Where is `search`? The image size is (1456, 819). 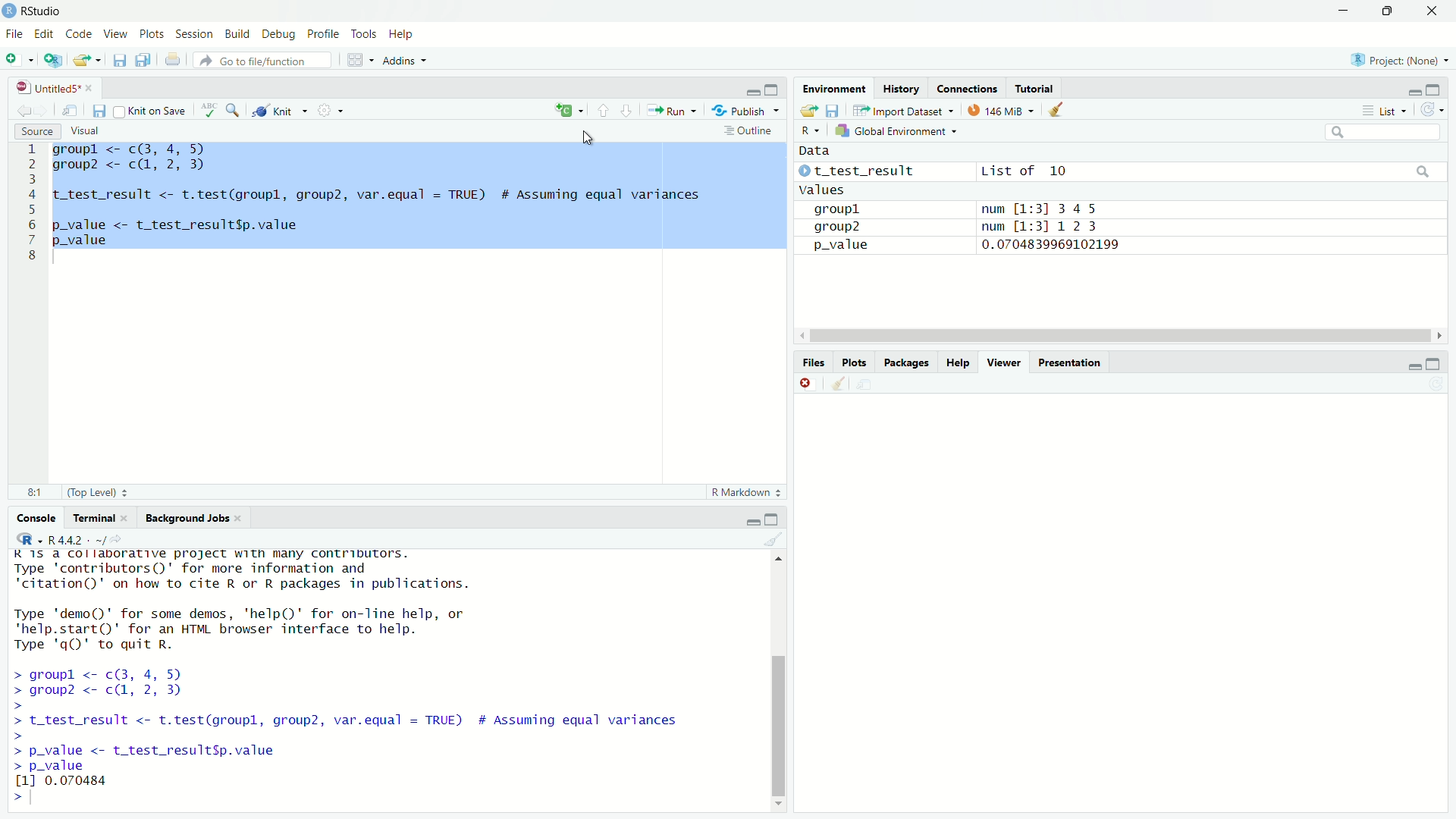
search is located at coordinates (233, 108).